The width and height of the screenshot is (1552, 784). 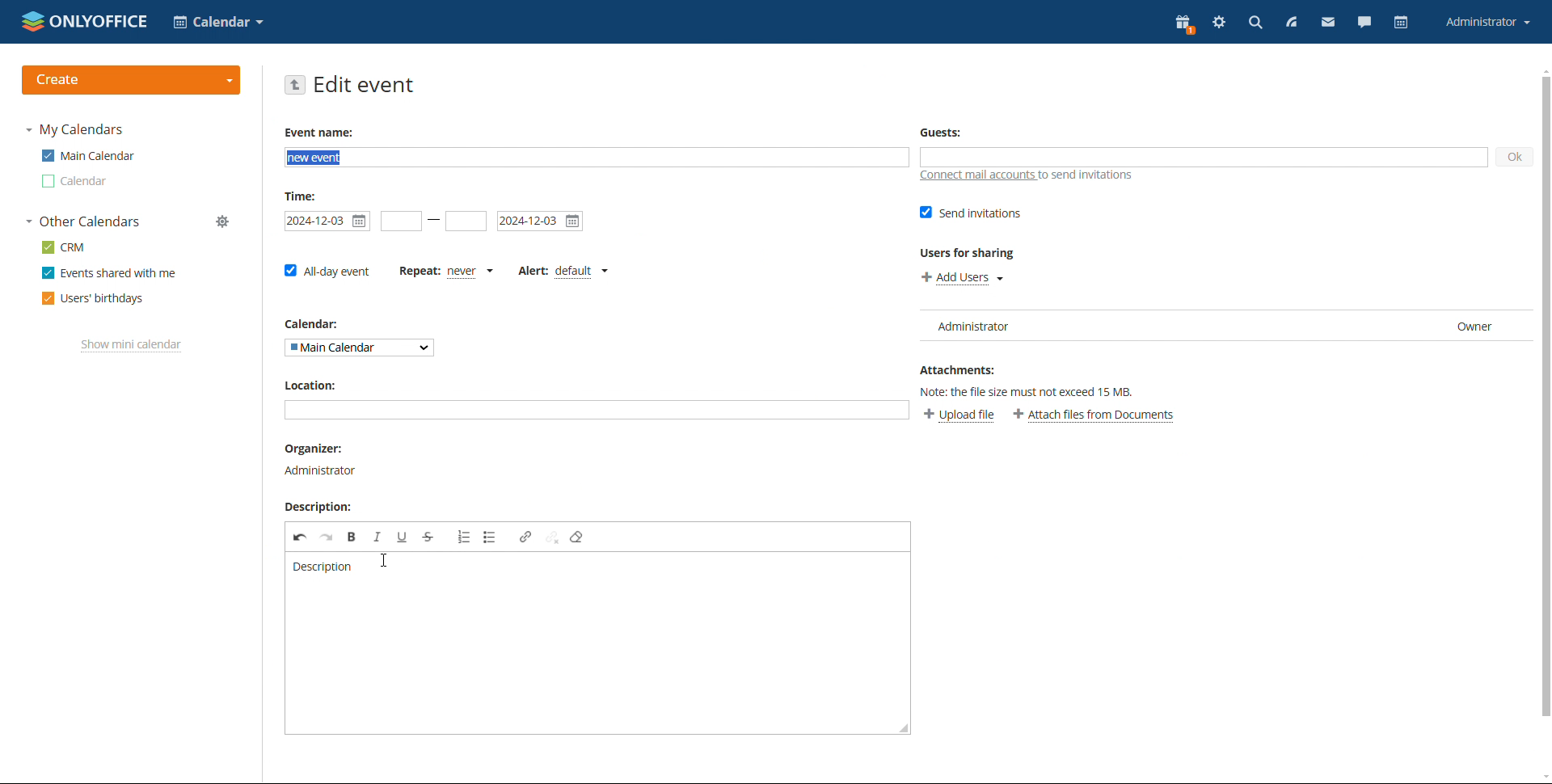 What do you see at coordinates (317, 322) in the screenshot?
I see `calendar:` at bounding box center [317, 322].